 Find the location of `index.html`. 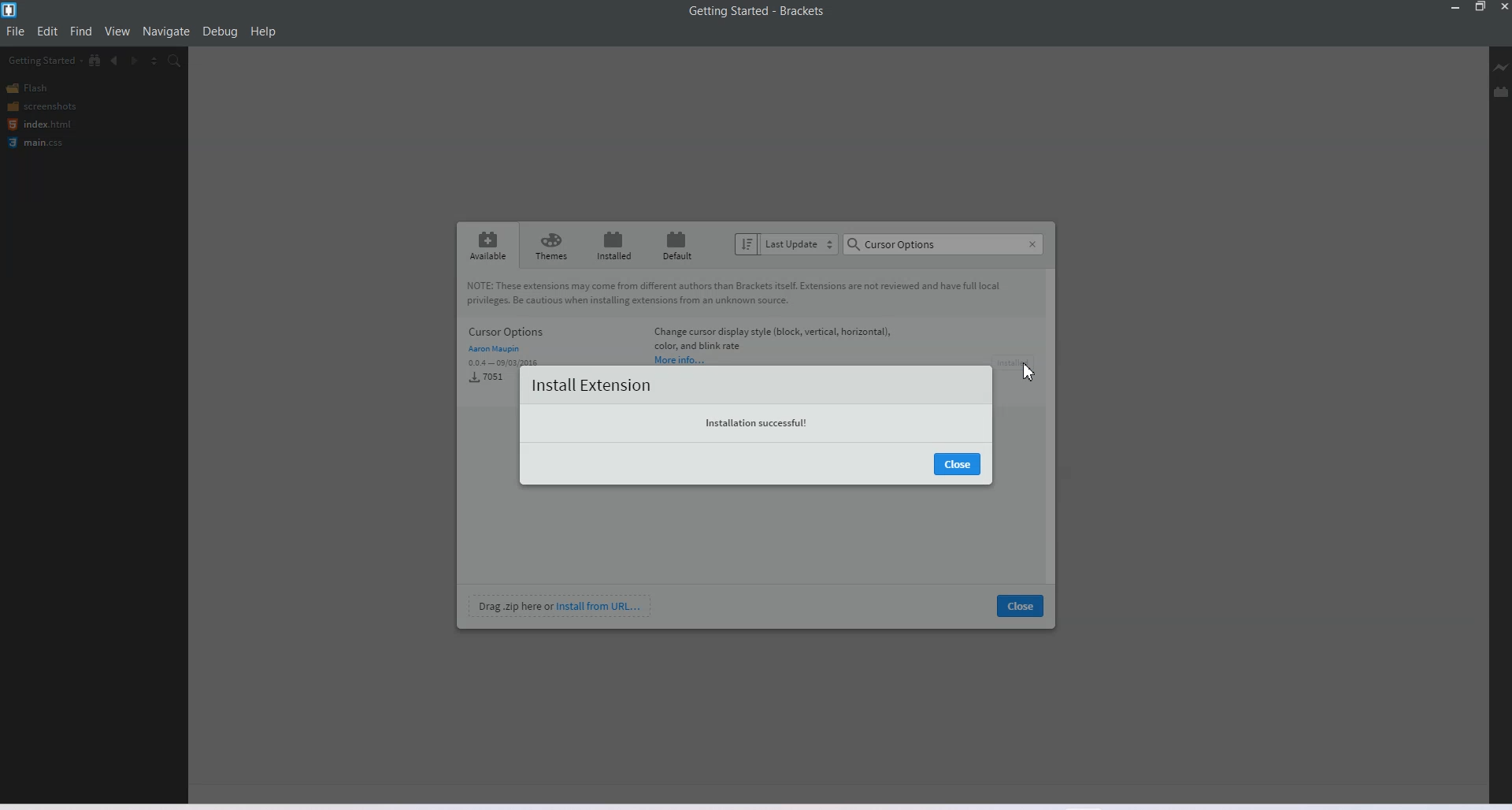

index.html is located at coordinates (39, 124).